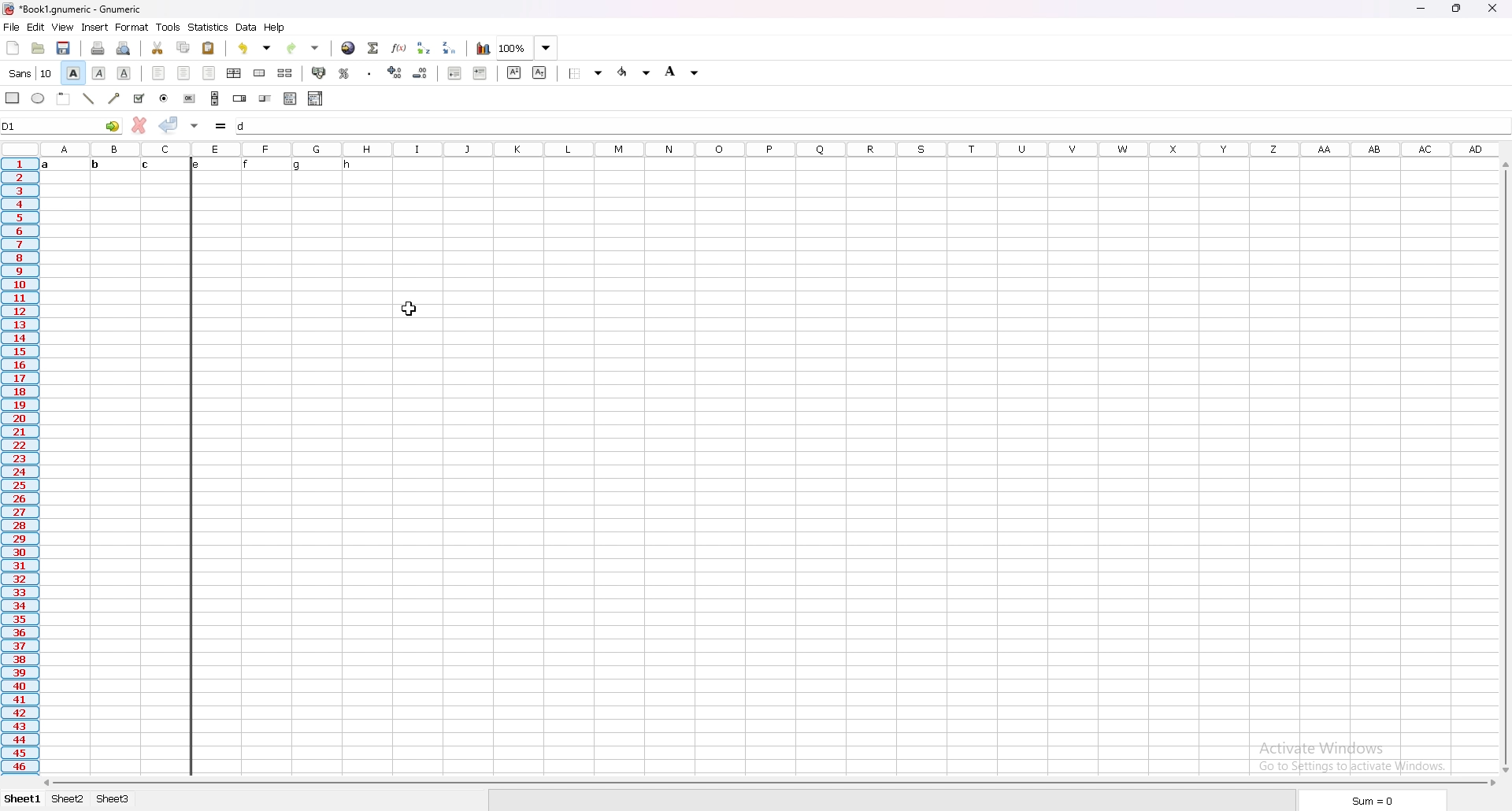  What do you see at coordinates (222, 126) in the screenshot?
I see `formula` at bounding box center [222, 126].